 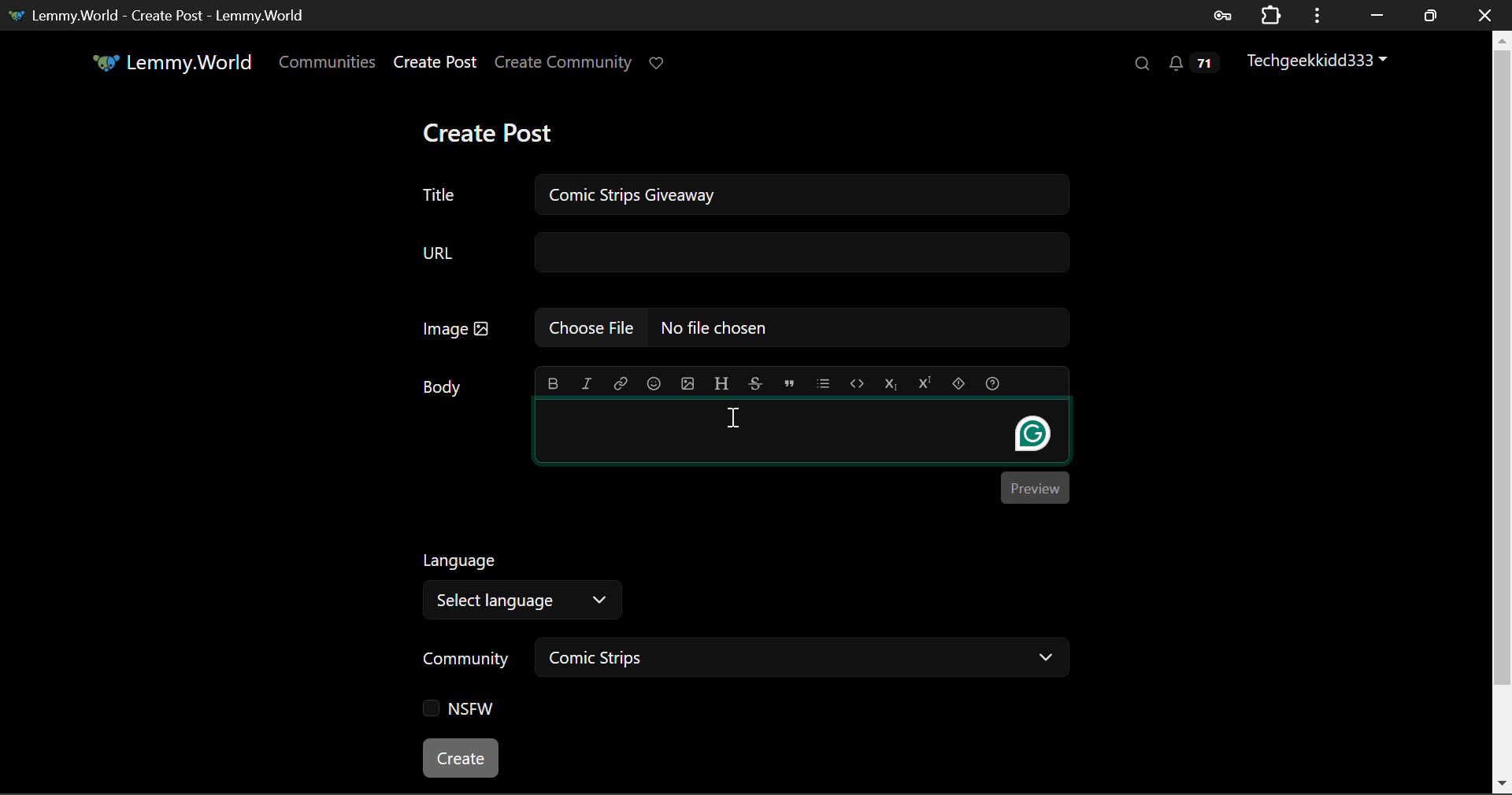 What do you see at coordinates (742, 197) in the screenshot?
I see `Title: Comic Strips Giveaway` at bounding box center [742, 197].